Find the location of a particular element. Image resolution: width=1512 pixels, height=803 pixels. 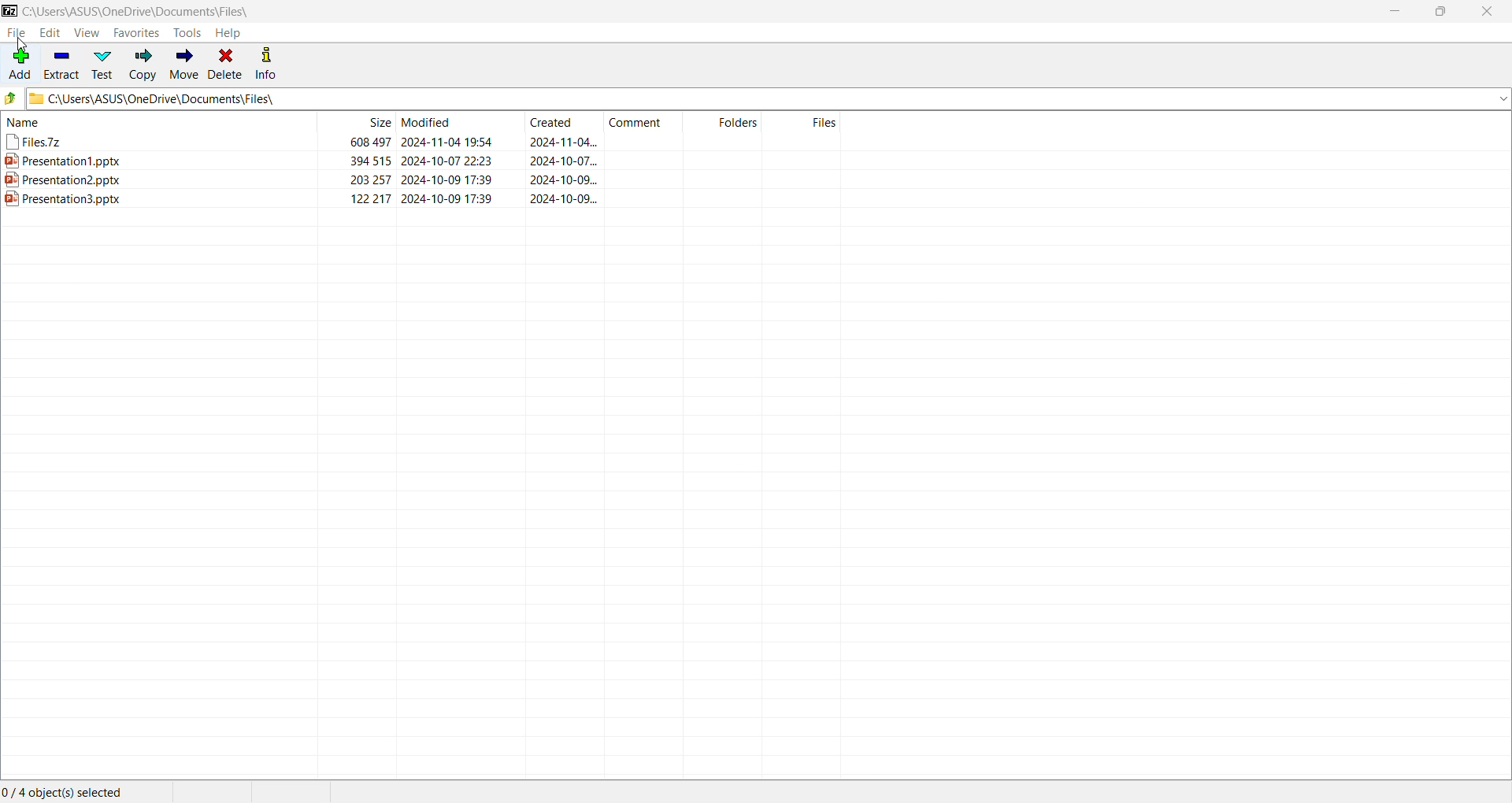

name is located at coordinates (39, 121).